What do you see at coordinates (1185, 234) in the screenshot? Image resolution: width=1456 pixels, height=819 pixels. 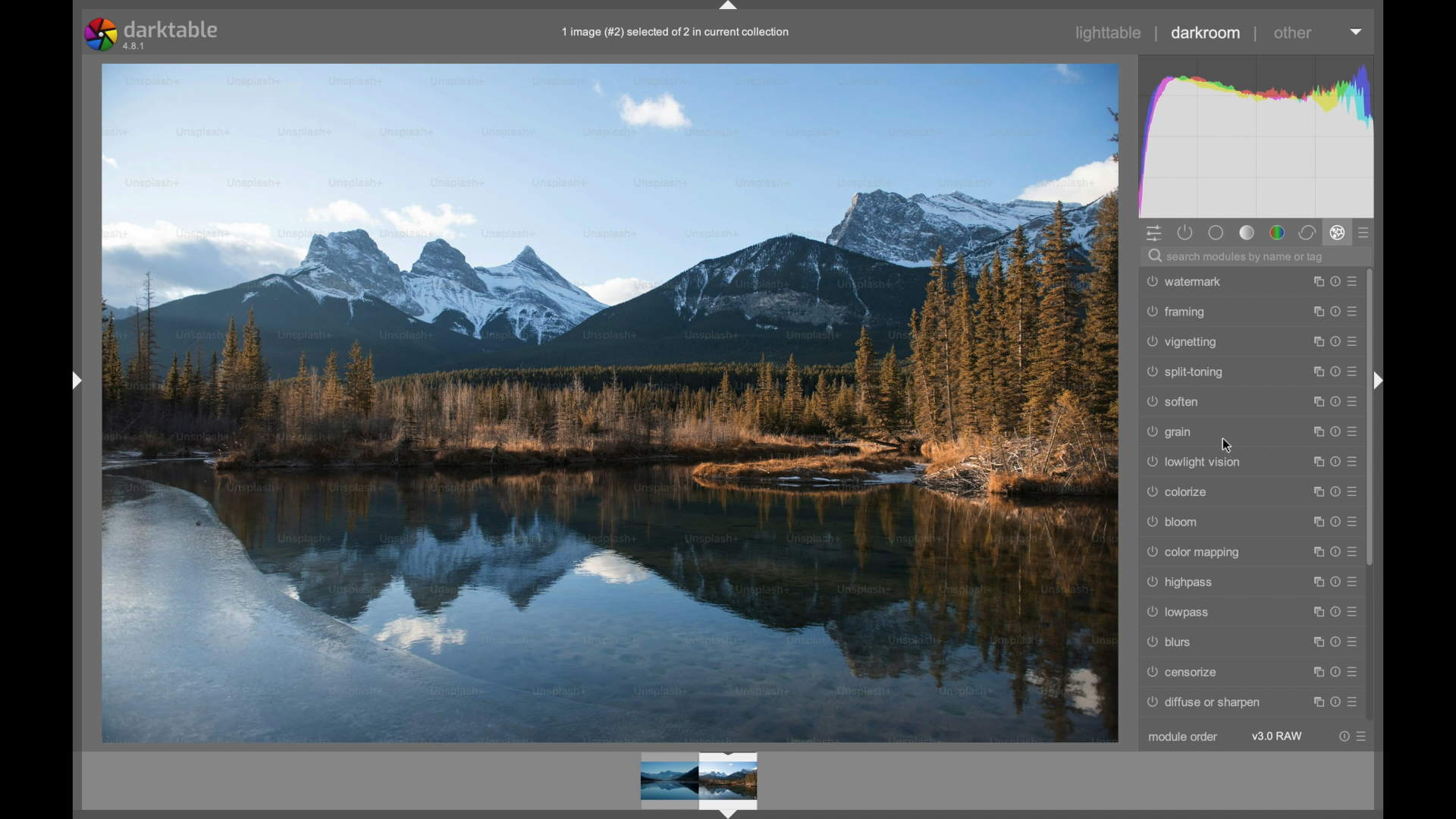 I see `show active modules only` at bounding box center [1185, 234].